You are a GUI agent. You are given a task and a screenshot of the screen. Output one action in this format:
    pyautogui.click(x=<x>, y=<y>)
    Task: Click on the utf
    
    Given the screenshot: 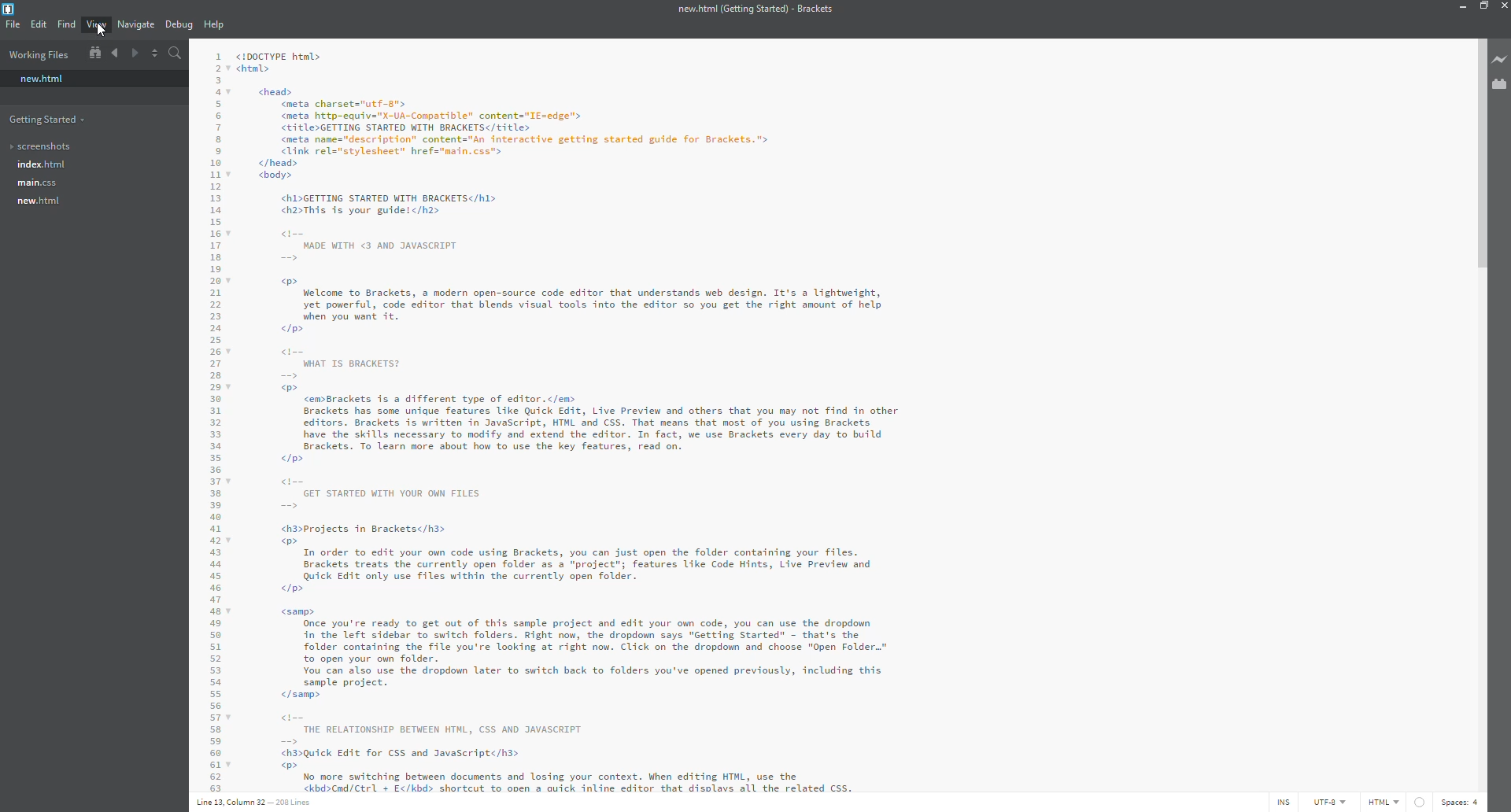 What is the action you would take?
    pyautogui.click(x=1332, y=802)
    